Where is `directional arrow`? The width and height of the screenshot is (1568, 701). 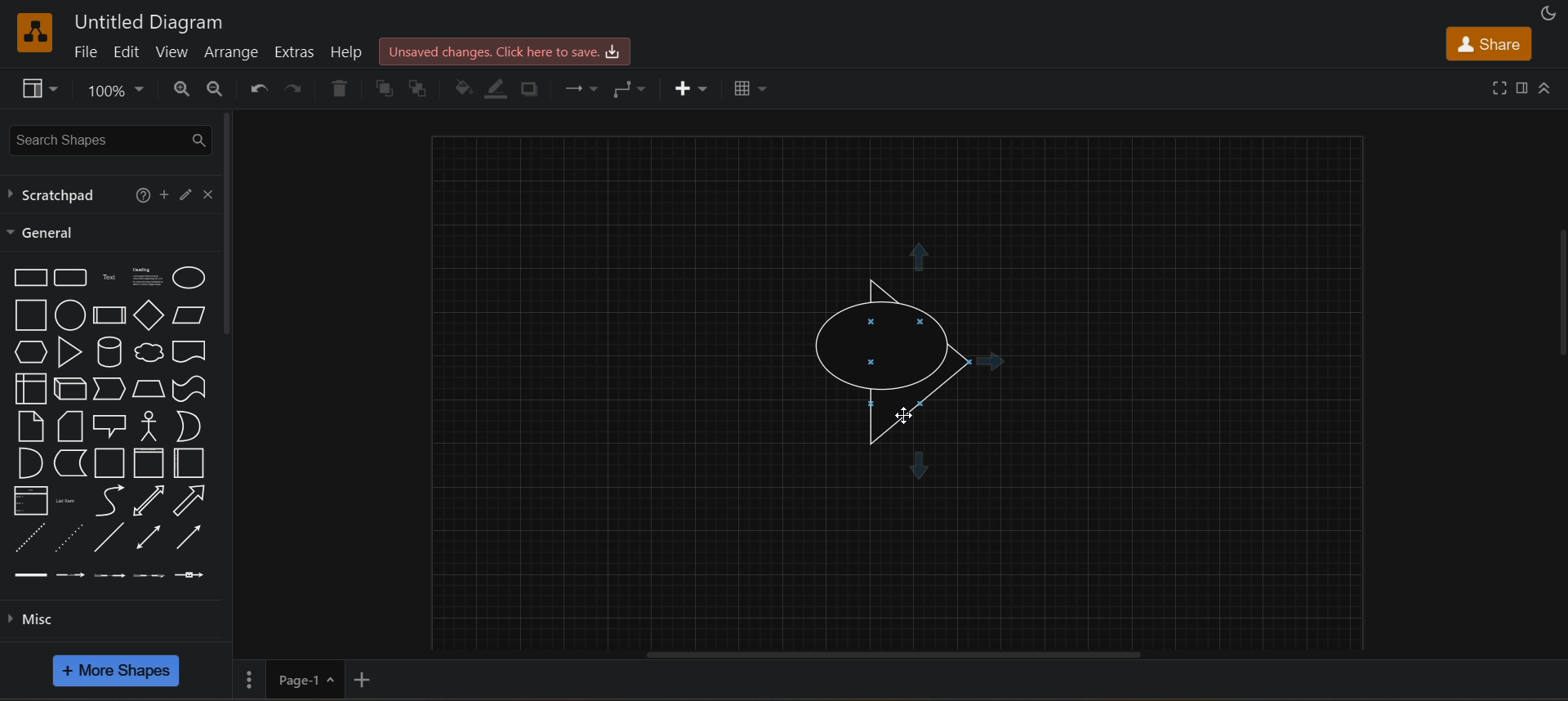 directional arrow is located at coordinates (189, 352).